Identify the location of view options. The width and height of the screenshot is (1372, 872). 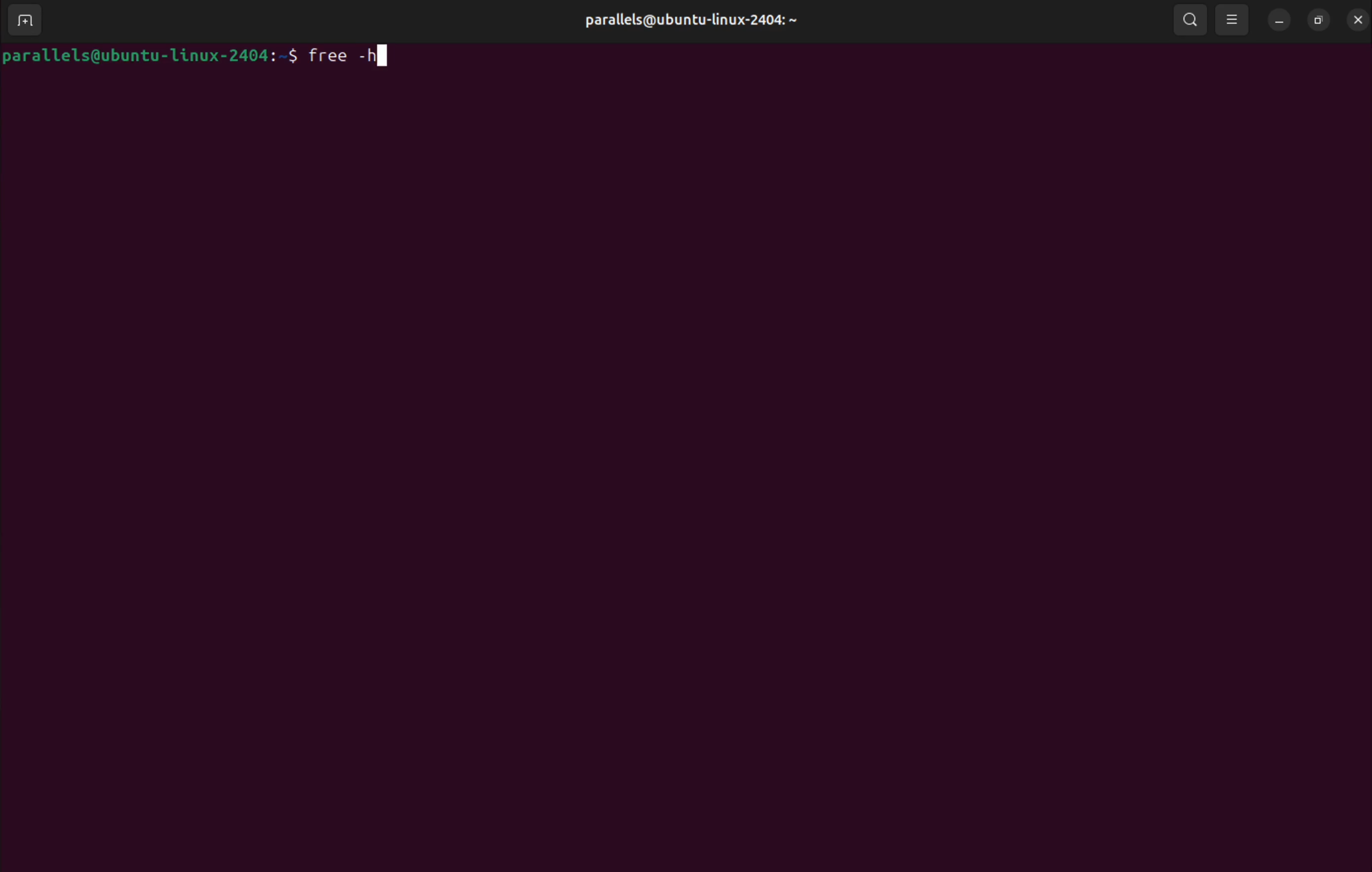
(1234, 22).